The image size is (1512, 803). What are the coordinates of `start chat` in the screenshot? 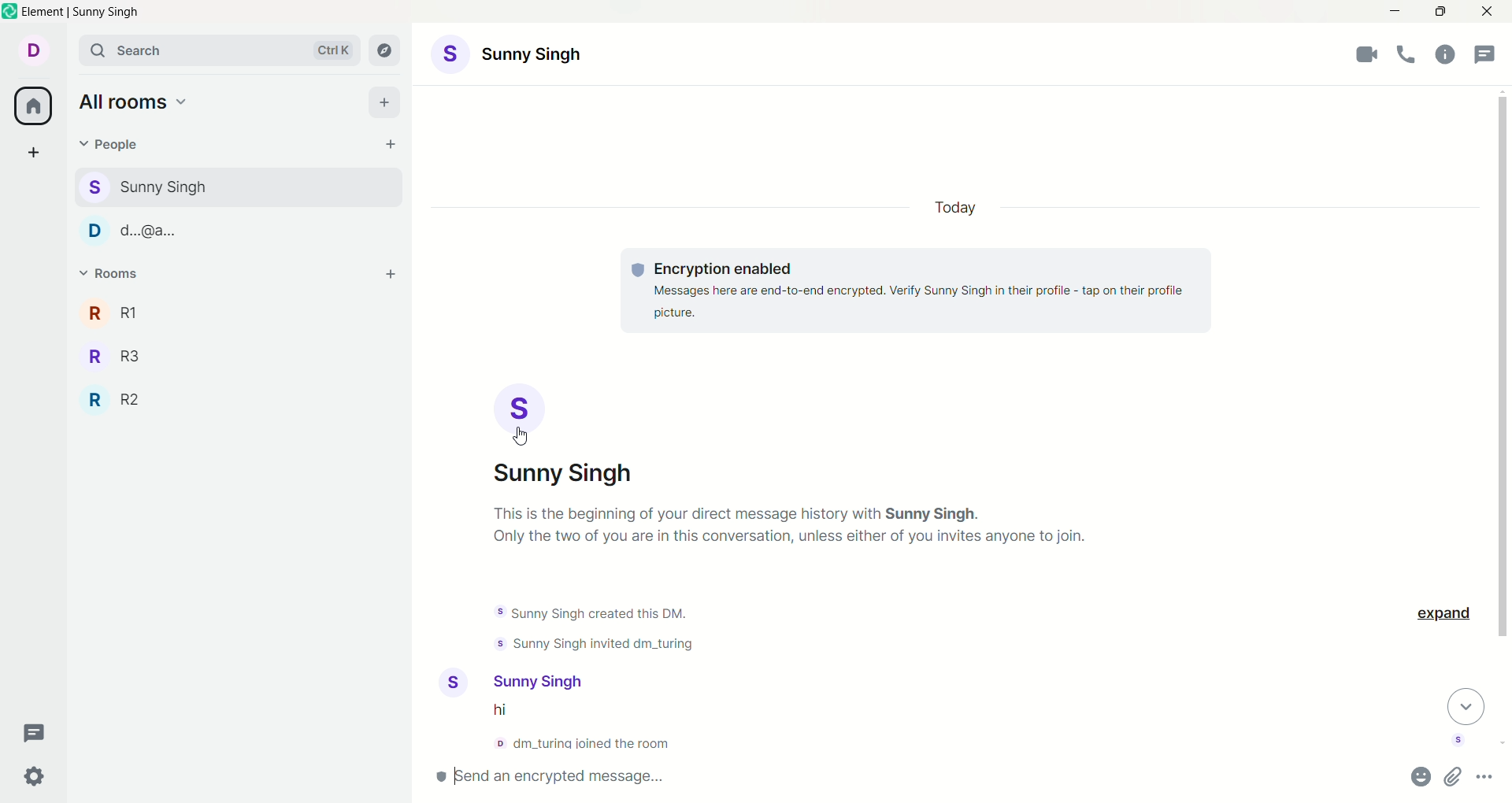 It's located at (393, 145).